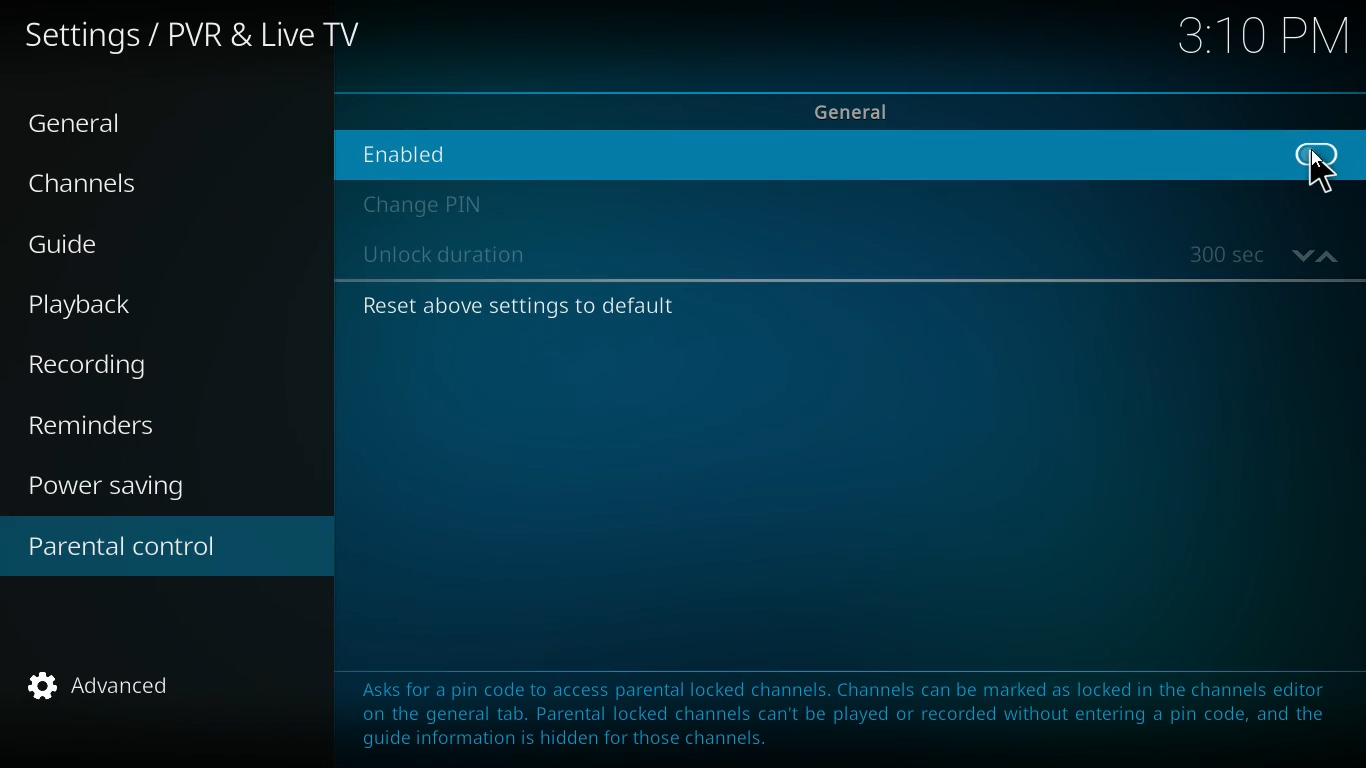  What do you see at coordinates (102, 305) in the screenshot?
I see `palyback` at bounding box center [102, 305].